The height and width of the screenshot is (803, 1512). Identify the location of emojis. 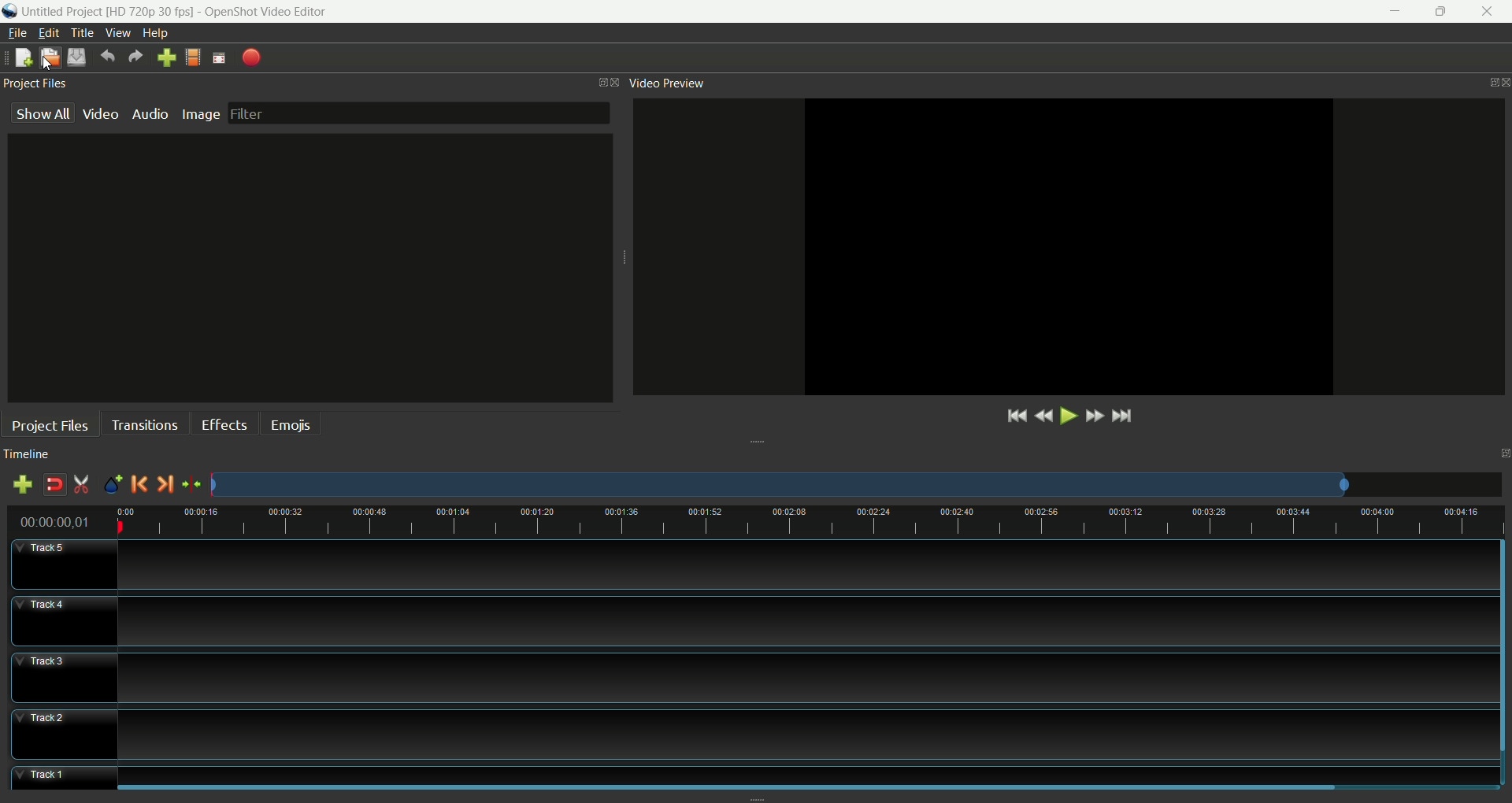
(289, 424).